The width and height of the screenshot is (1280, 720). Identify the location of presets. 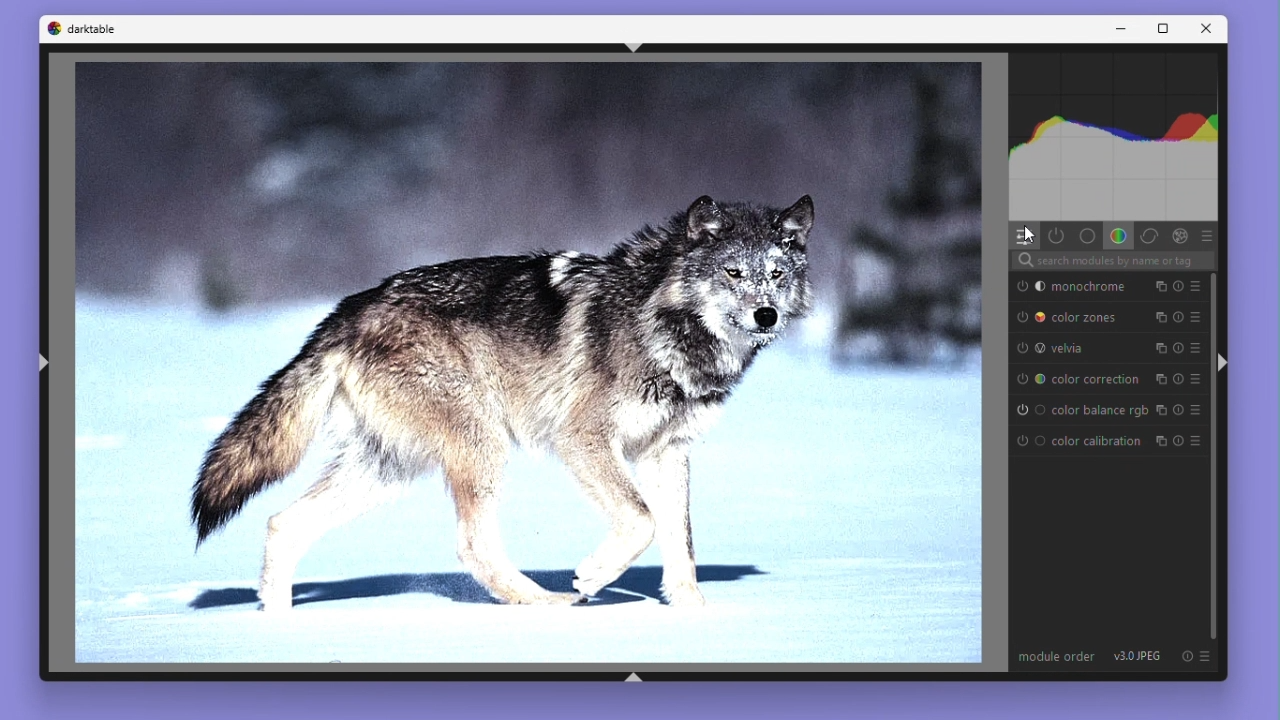
(1206, 235).